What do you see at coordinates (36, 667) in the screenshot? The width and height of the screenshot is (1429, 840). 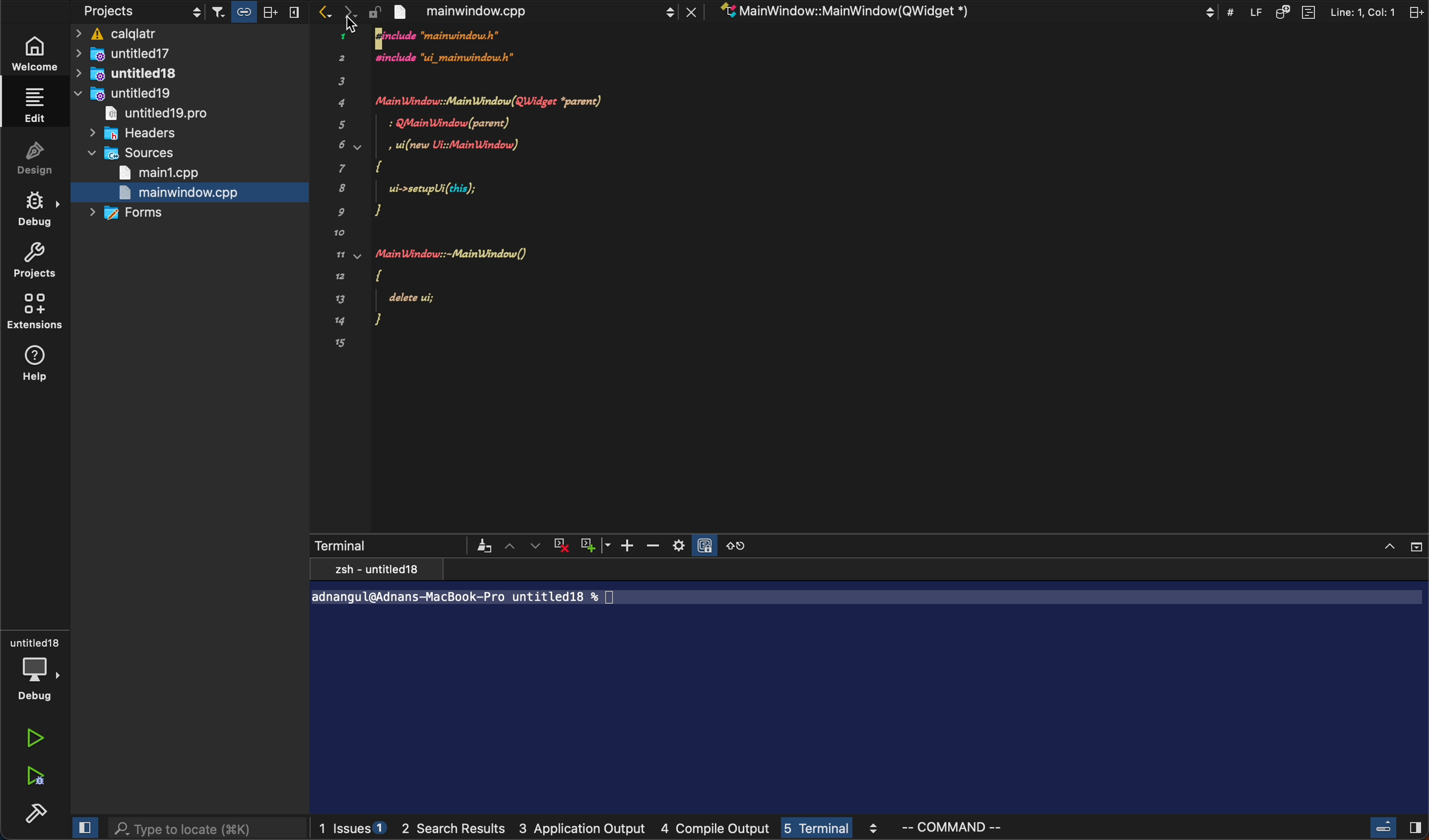 I see `debug` at bounding box center [36, 667].